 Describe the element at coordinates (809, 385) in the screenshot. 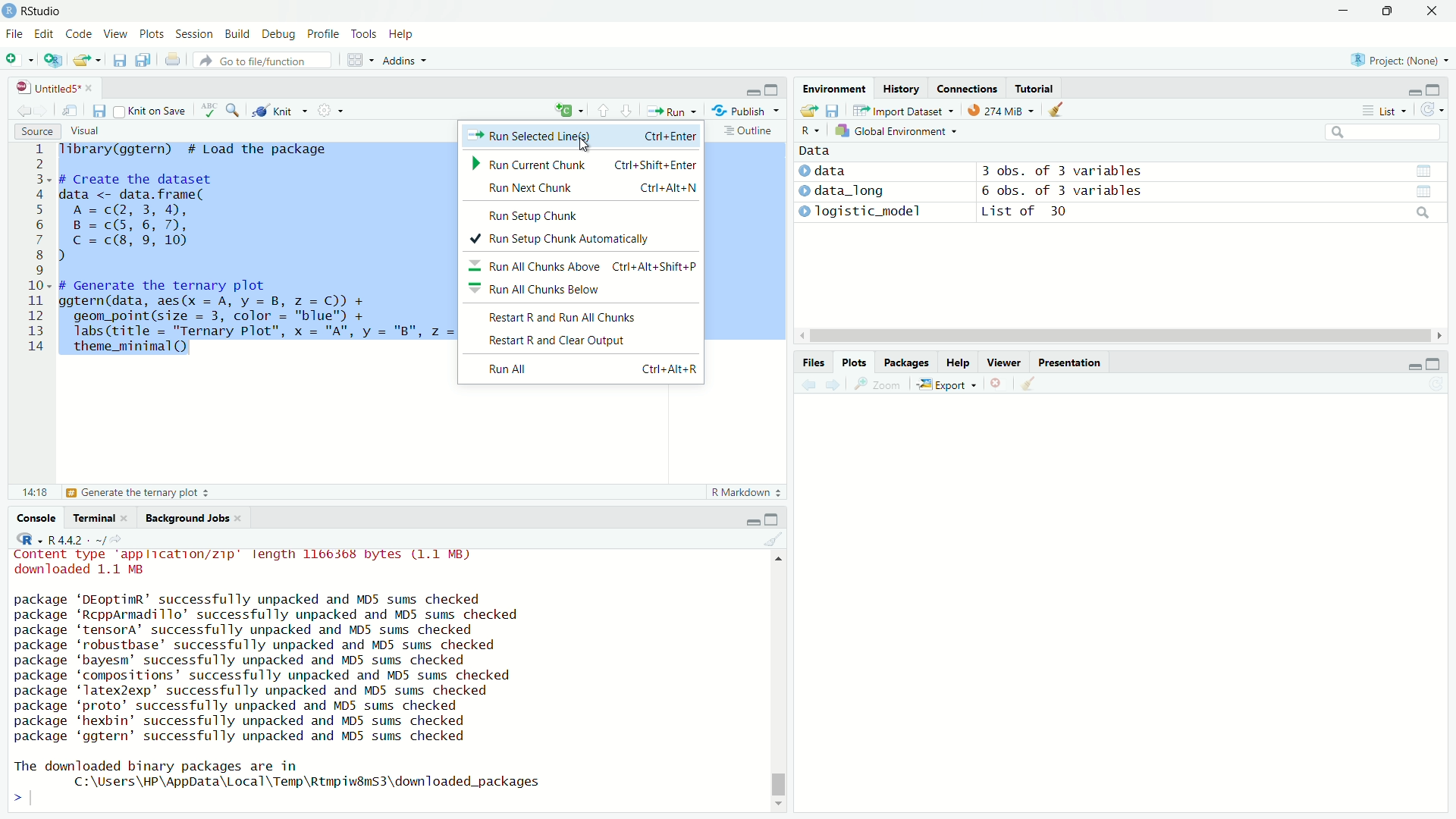

I see `back` at that location.